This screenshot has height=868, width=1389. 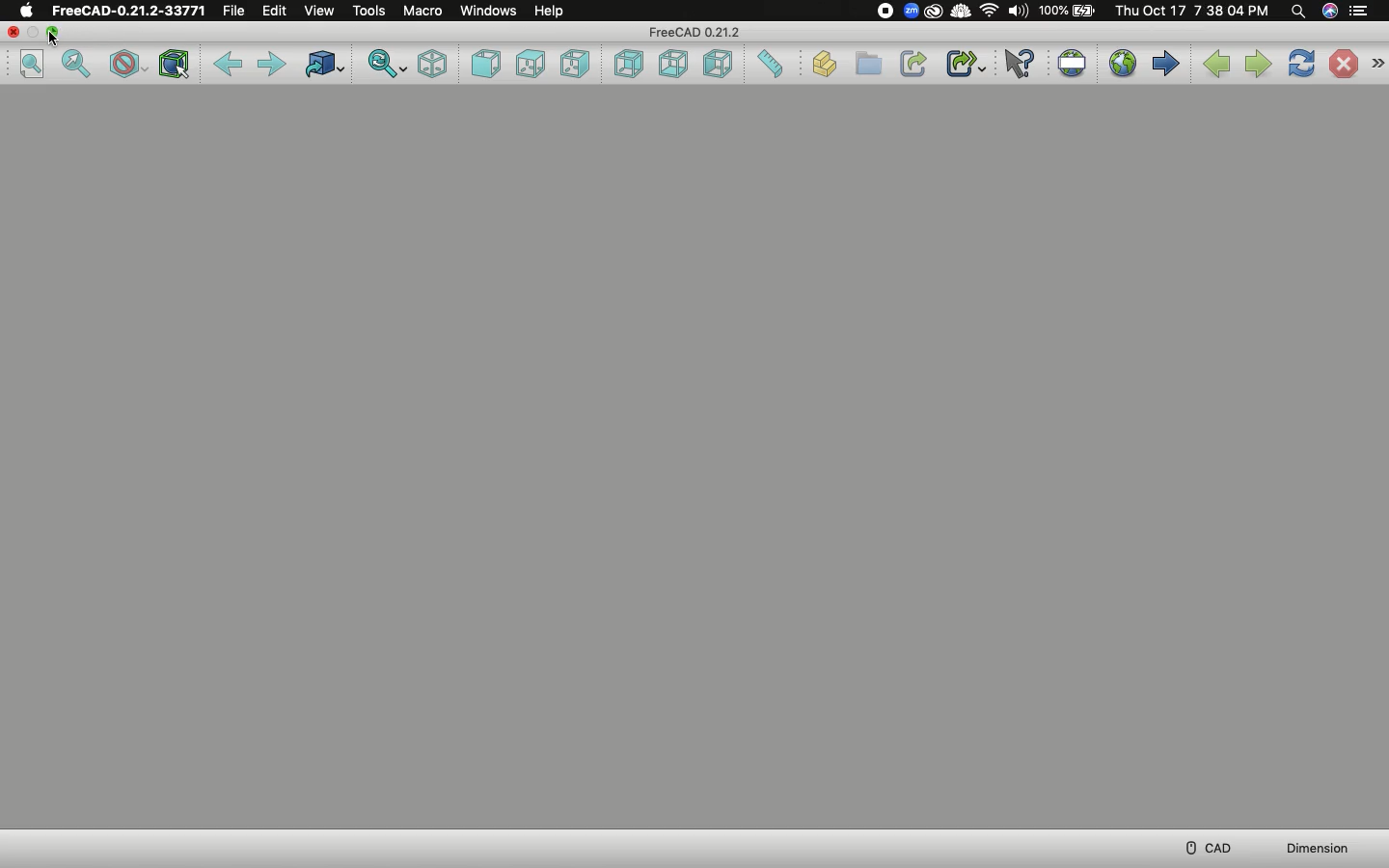 I want to click on Close, so click(x=17, y=32).